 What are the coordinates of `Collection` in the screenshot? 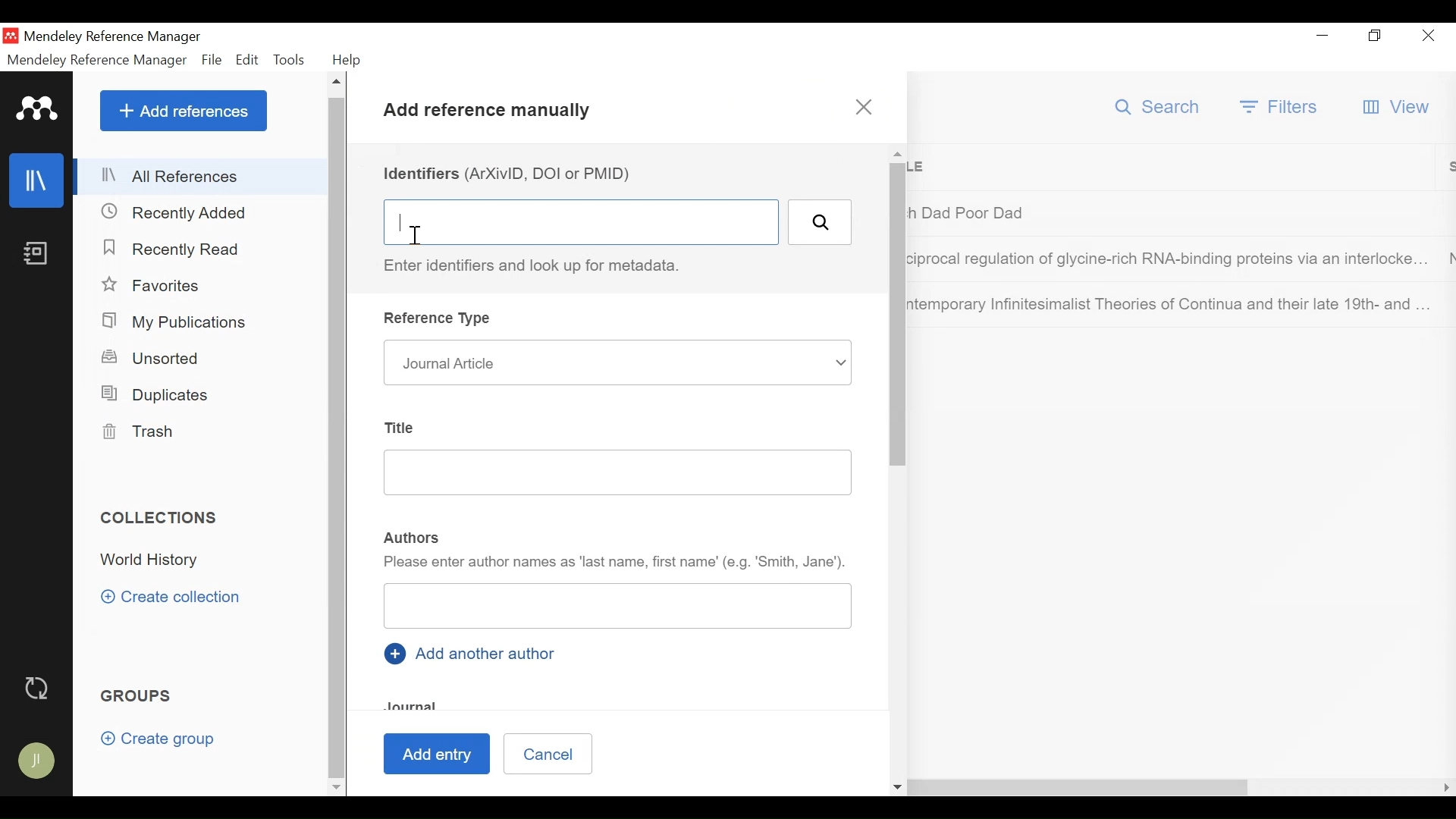 It's located at (156, 562).